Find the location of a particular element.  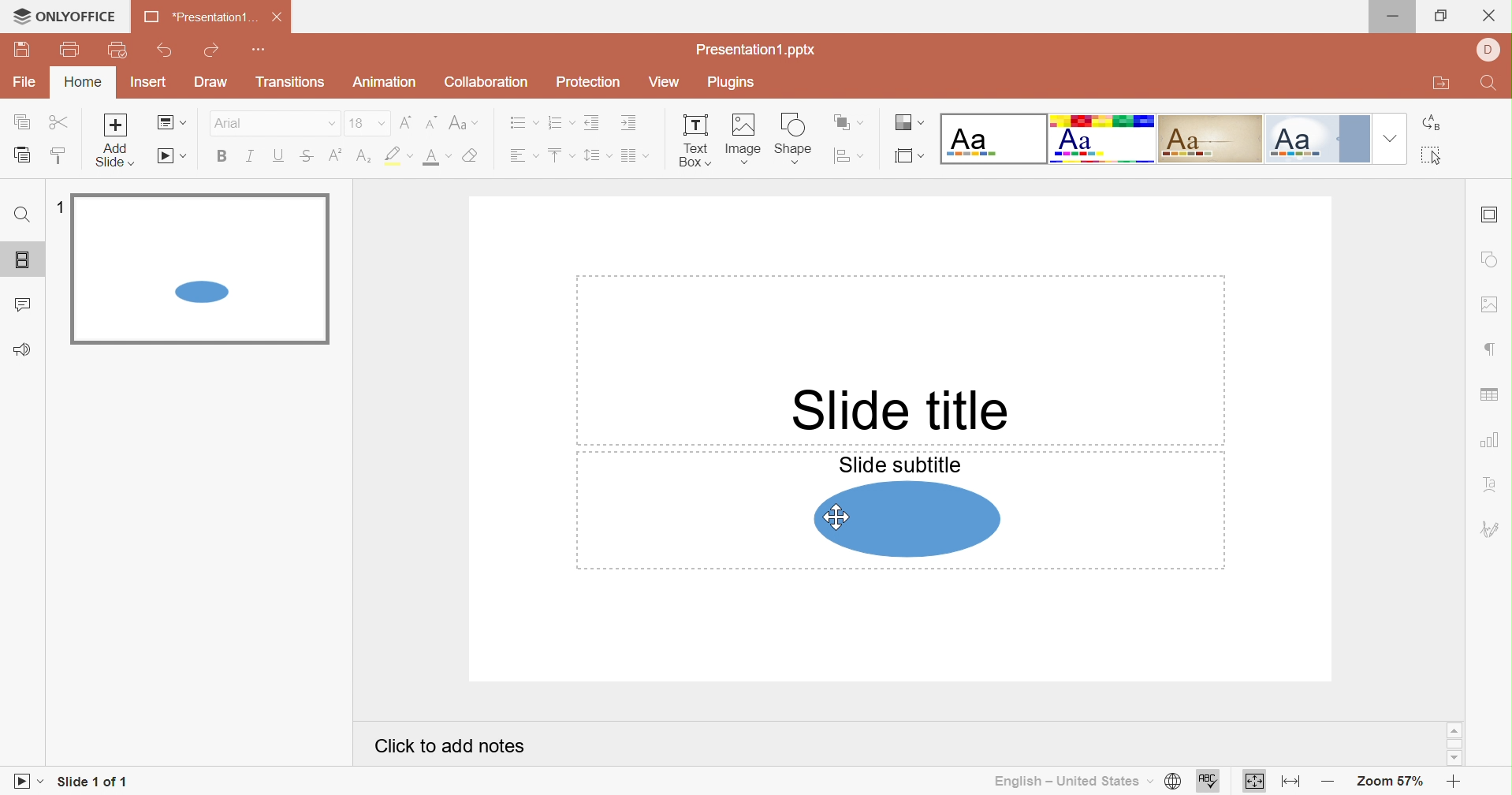

Slide 1 of 1 is located at coordinates (91, 780).